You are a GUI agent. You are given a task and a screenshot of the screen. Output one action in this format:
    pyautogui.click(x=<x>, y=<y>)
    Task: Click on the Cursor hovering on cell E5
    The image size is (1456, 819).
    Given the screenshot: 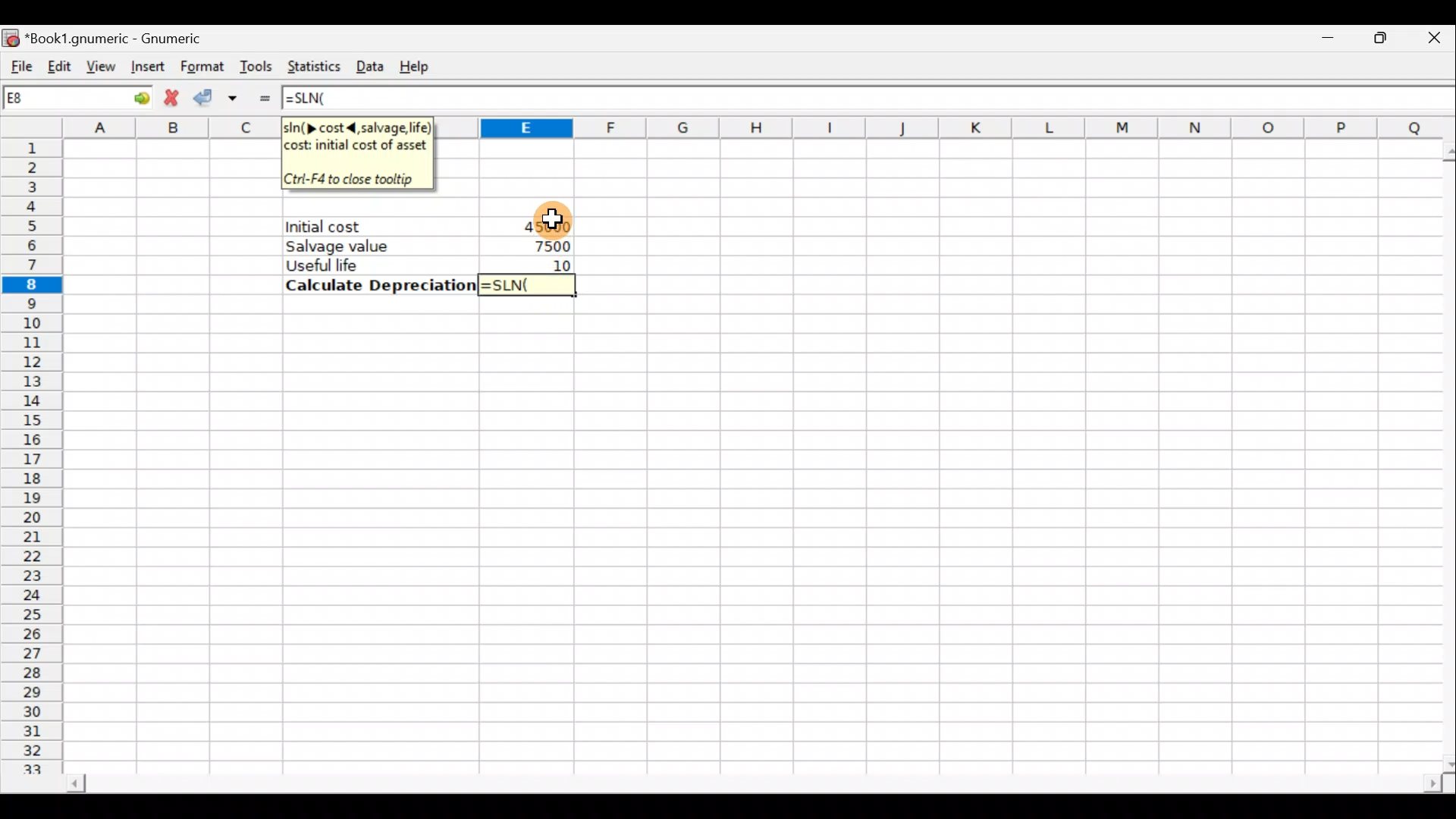 What is the action you would take?
    pyautogui.click(x=546, y=218)
    